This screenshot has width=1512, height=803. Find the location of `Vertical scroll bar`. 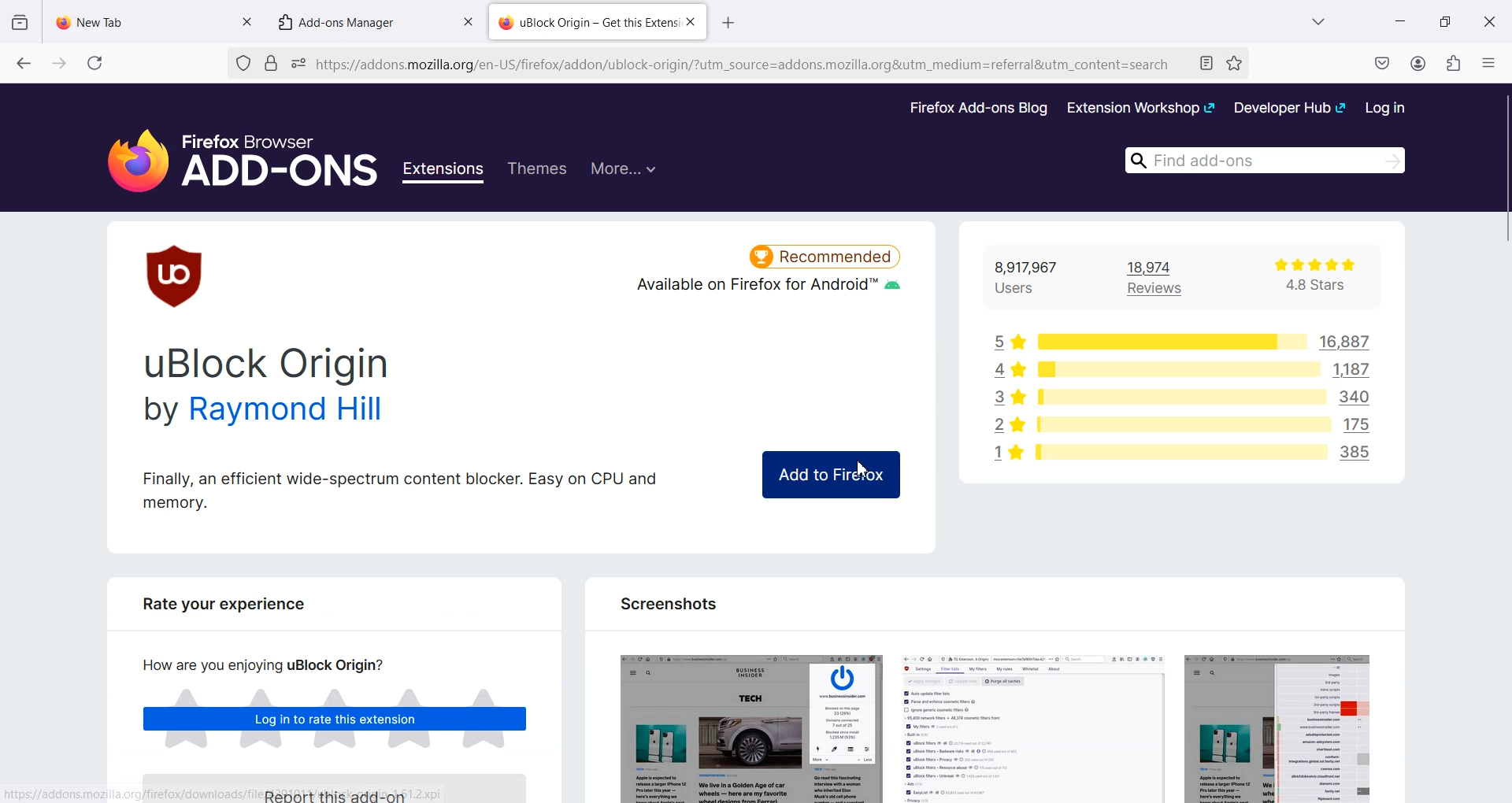

Vertical scroll bar is located at coordinates (1503, 442).